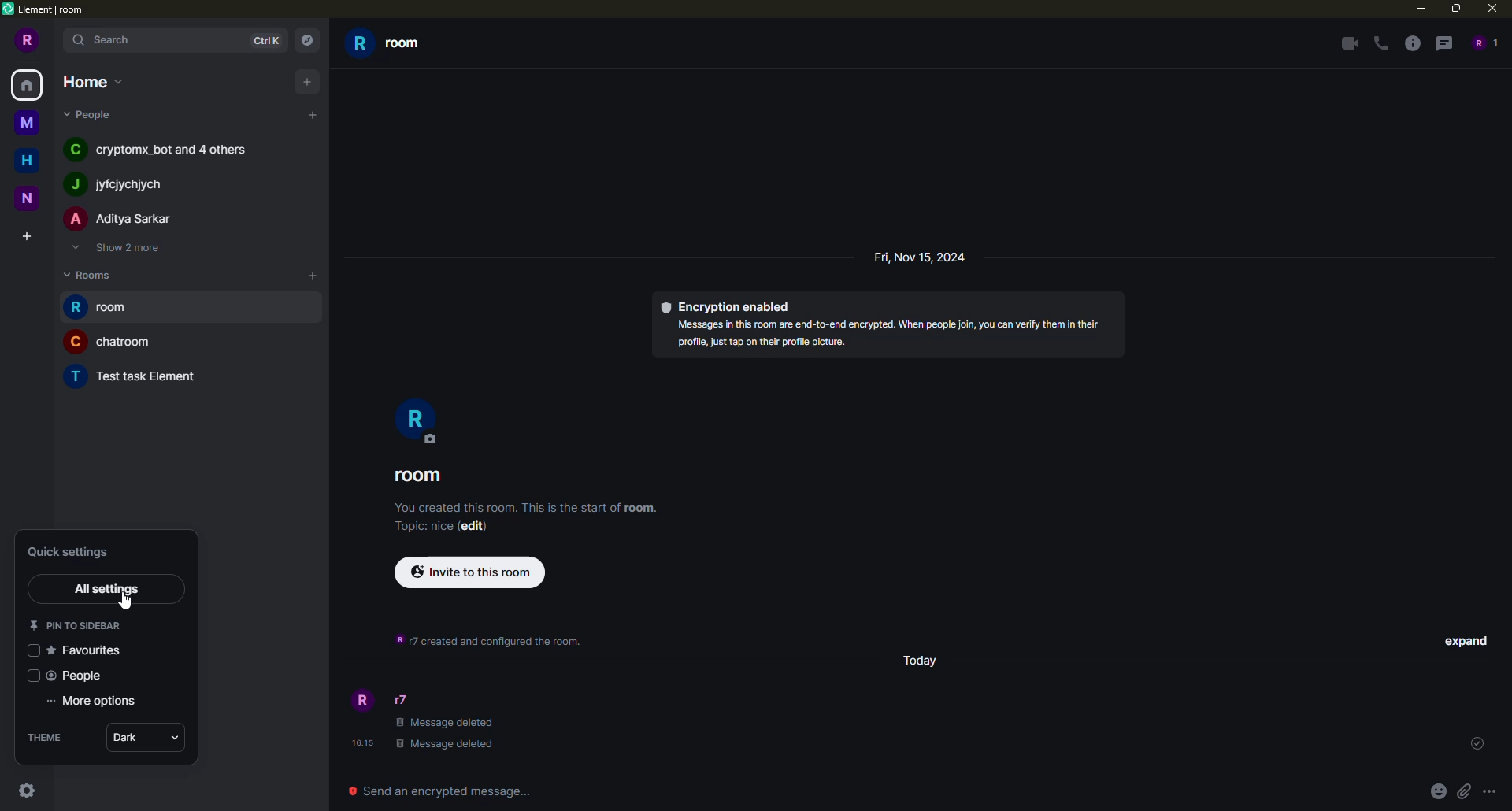 The image size is (1512, 811). I want to click on dark, so click(133, 738).